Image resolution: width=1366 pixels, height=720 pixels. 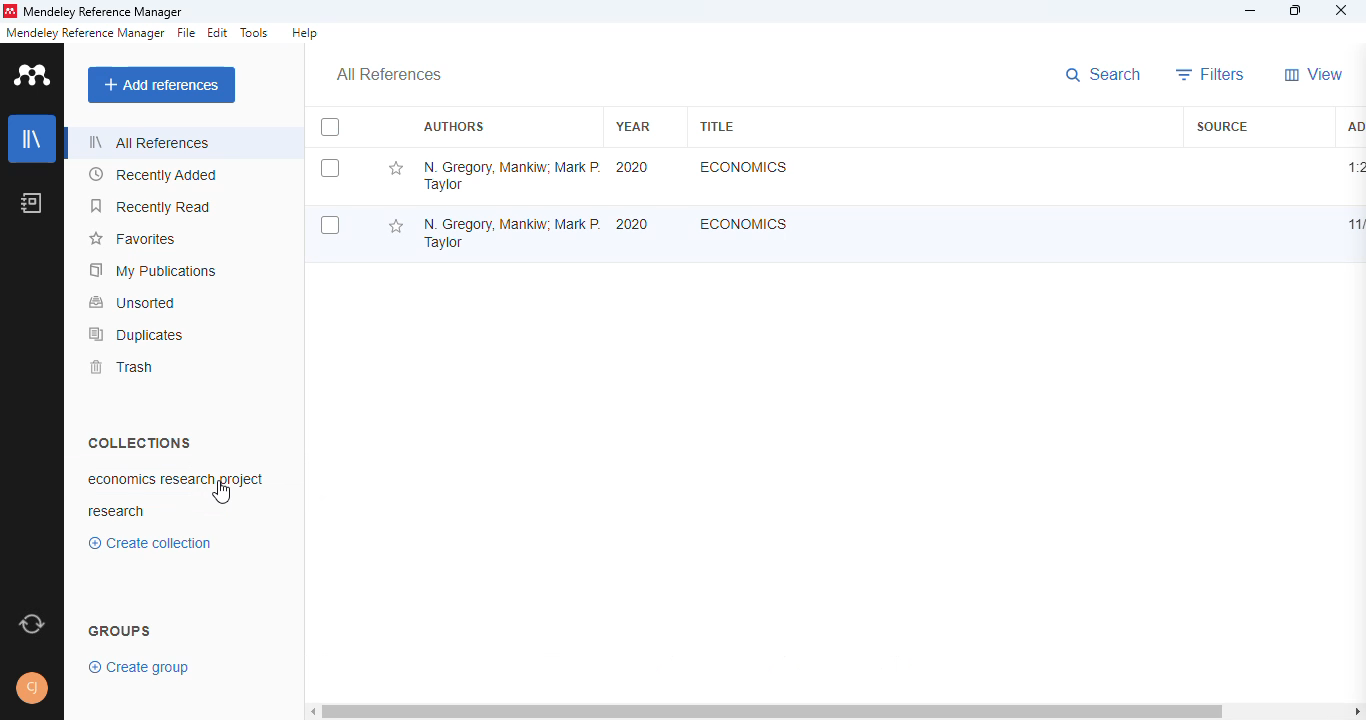 What do you see at coordinates (133, 302) in the screenshot?
I see `unsorted` at bounding box center [133, 302].